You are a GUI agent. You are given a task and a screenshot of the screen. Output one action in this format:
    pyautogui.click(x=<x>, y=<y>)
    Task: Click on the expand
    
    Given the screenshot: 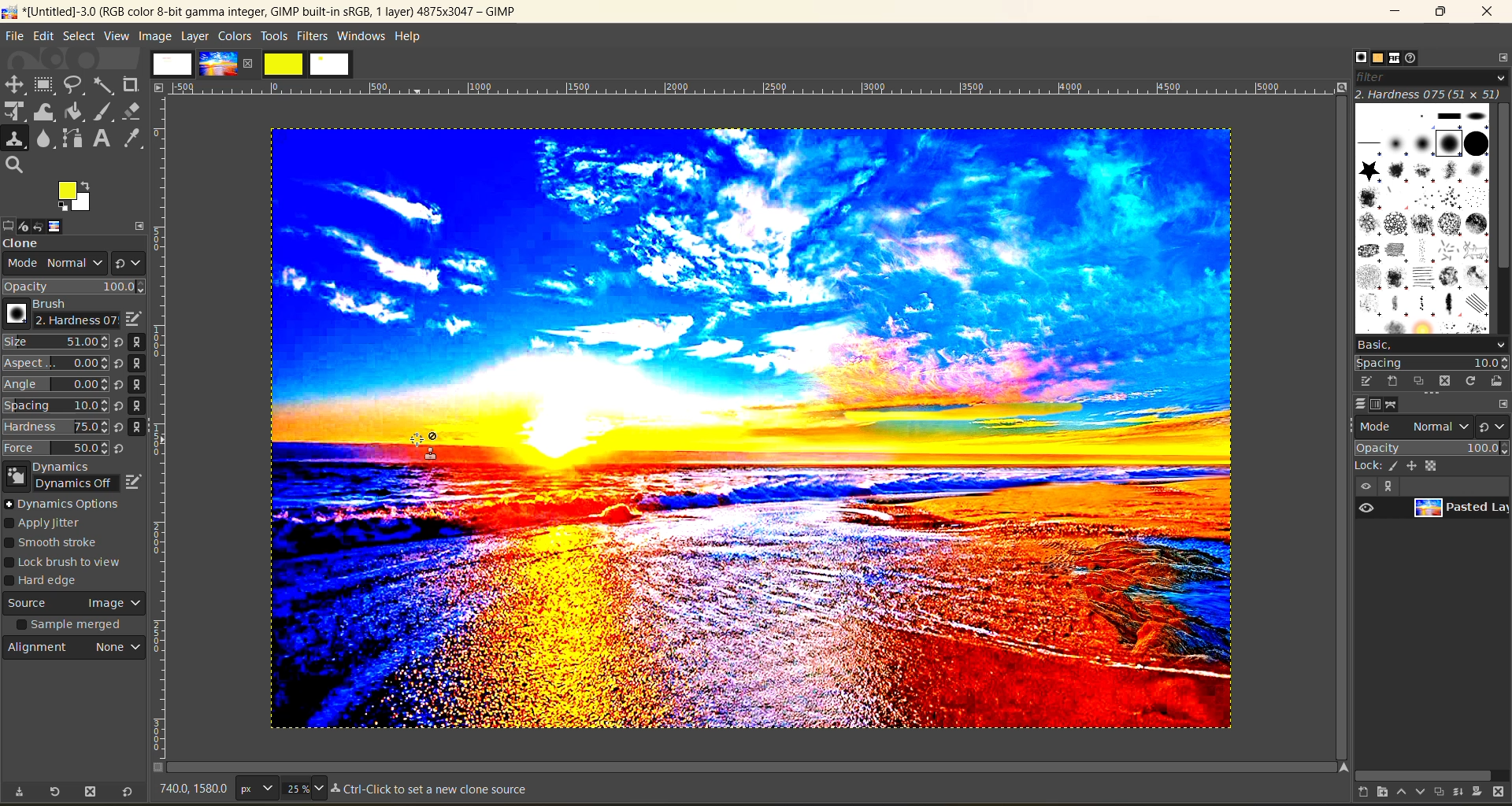 What is the action you would take?
    pyautogui.click(x=140, y=224)
    